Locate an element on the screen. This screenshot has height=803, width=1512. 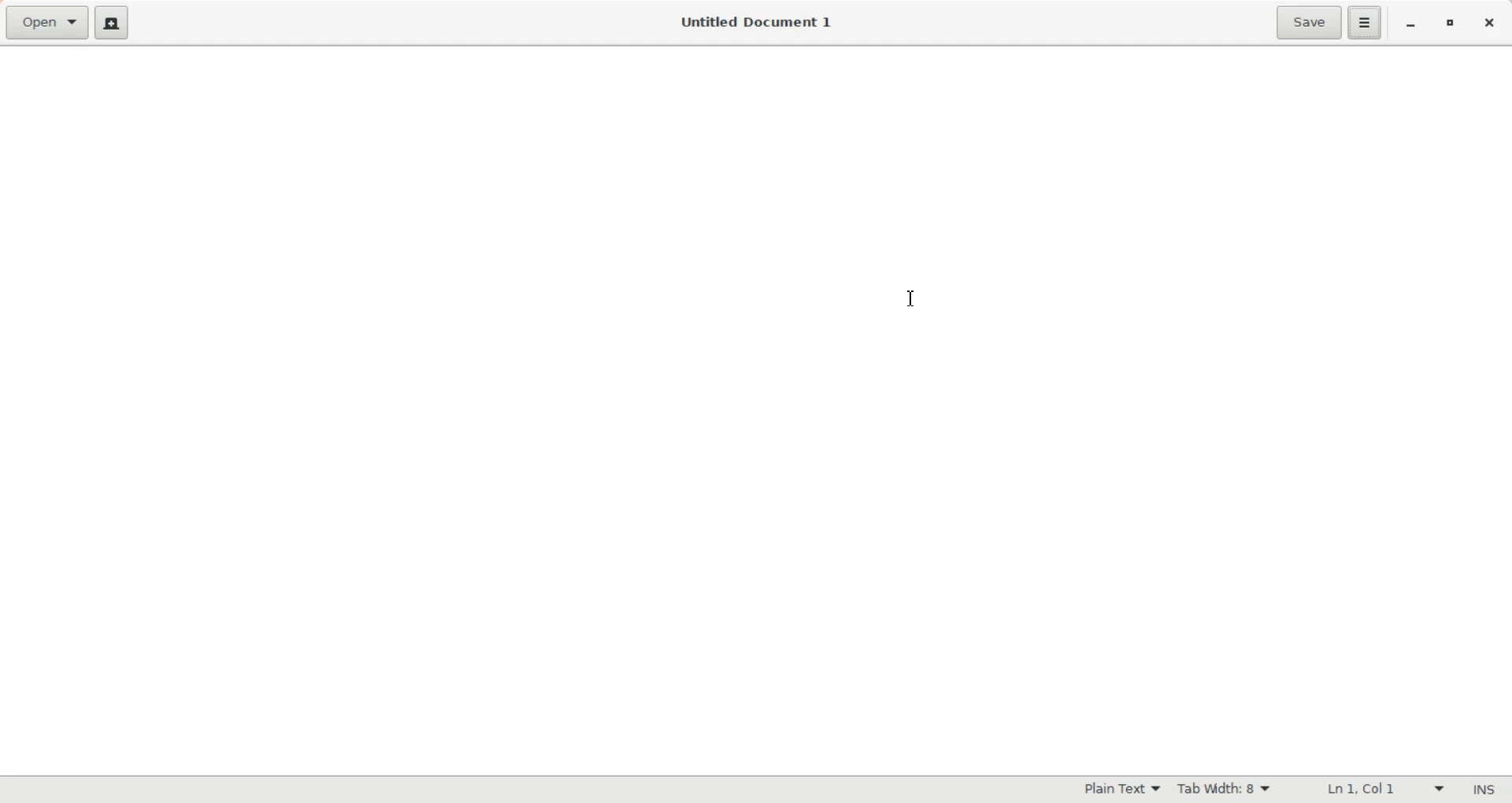
Insert is located at coordinates (1479, 790).